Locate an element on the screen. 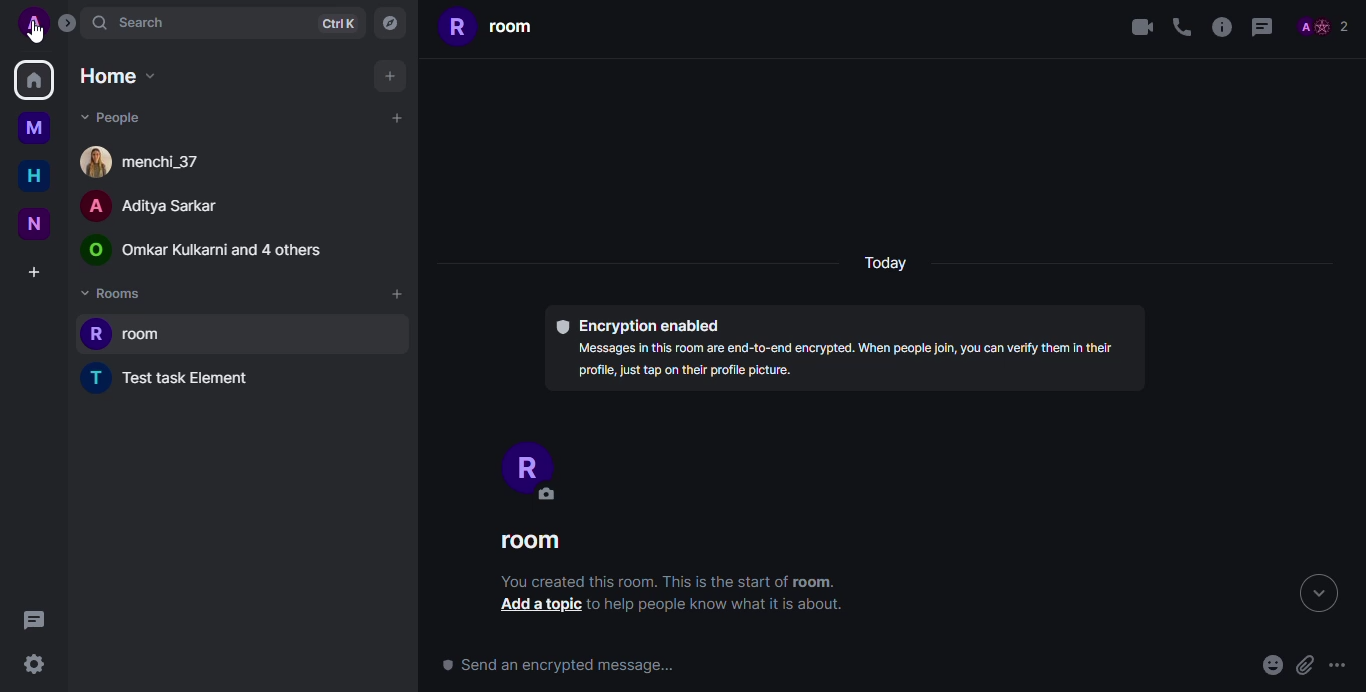 Image resolution: width=1366 pixels, height=692 pixels. add a topic button is located at coordinates (540, 605).